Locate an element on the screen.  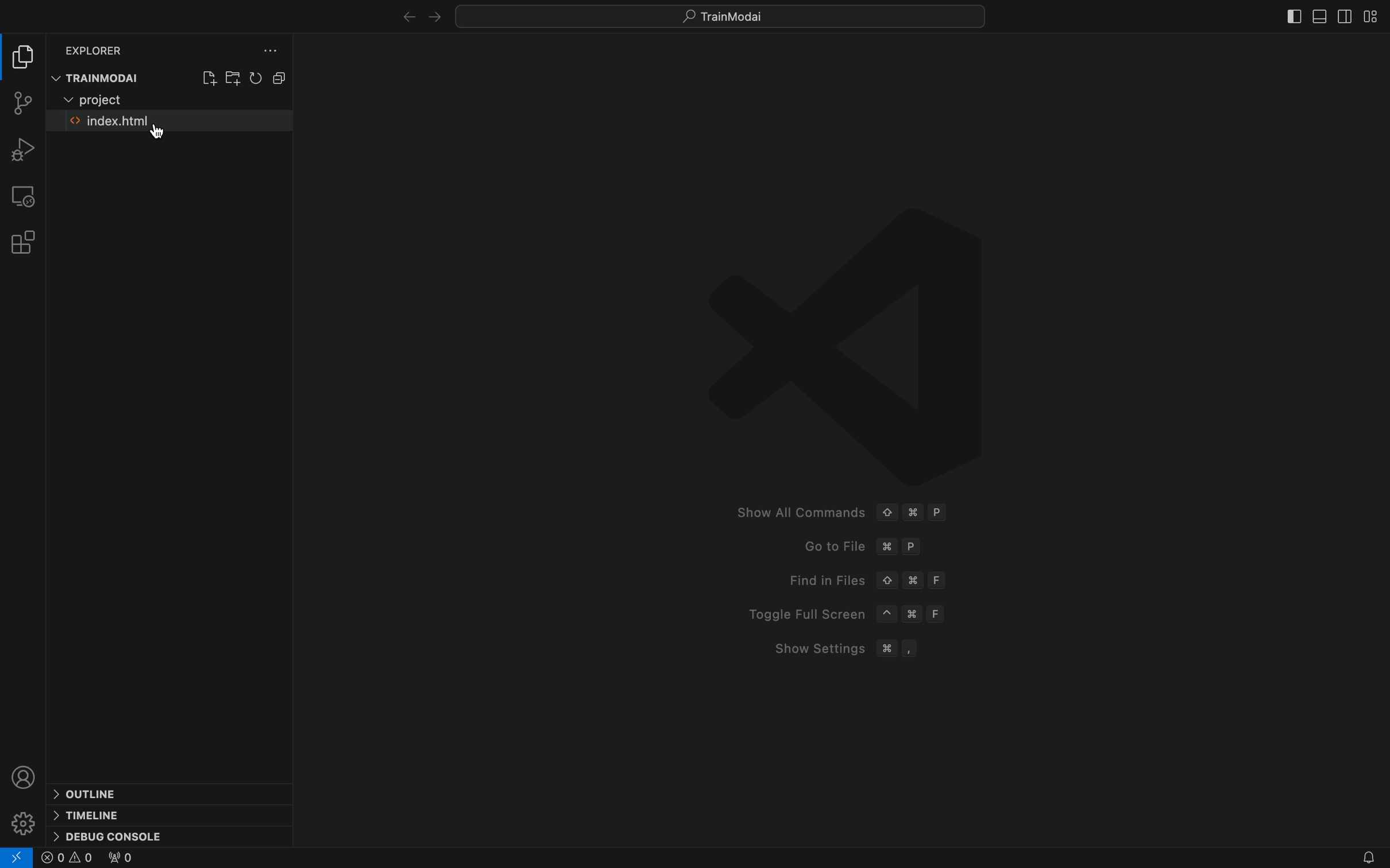
remote explore is located at coordinates (25, 194).